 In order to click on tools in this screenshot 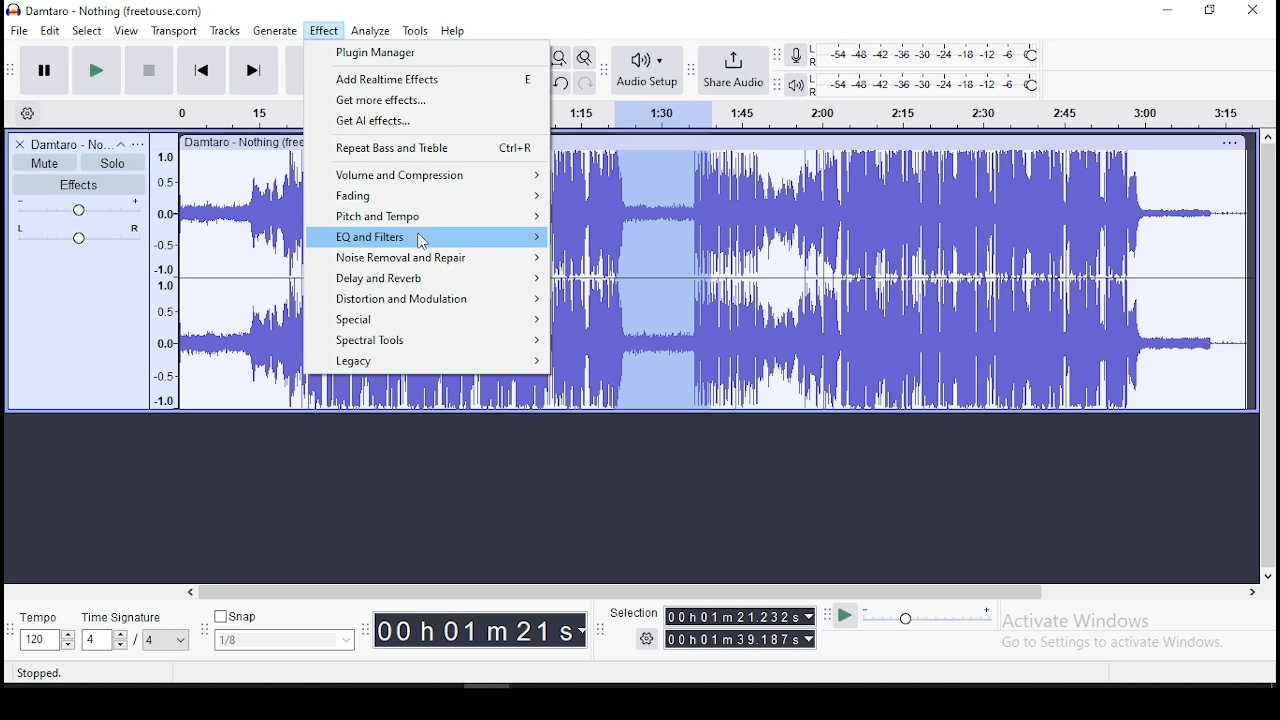, I will do `click(416, 30)`.